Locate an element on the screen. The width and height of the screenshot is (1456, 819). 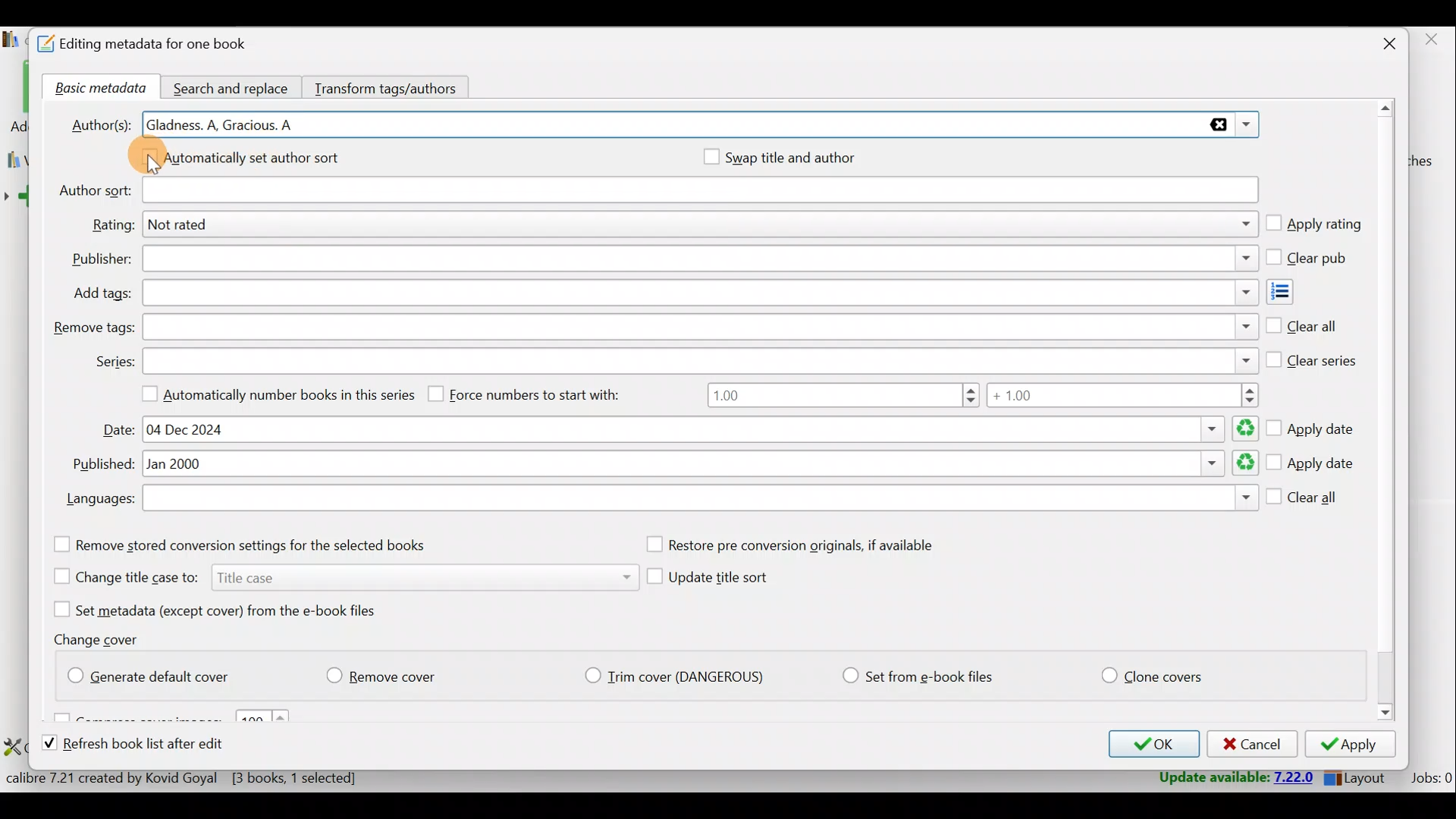
Add tags is located at coordinates (698, 293).